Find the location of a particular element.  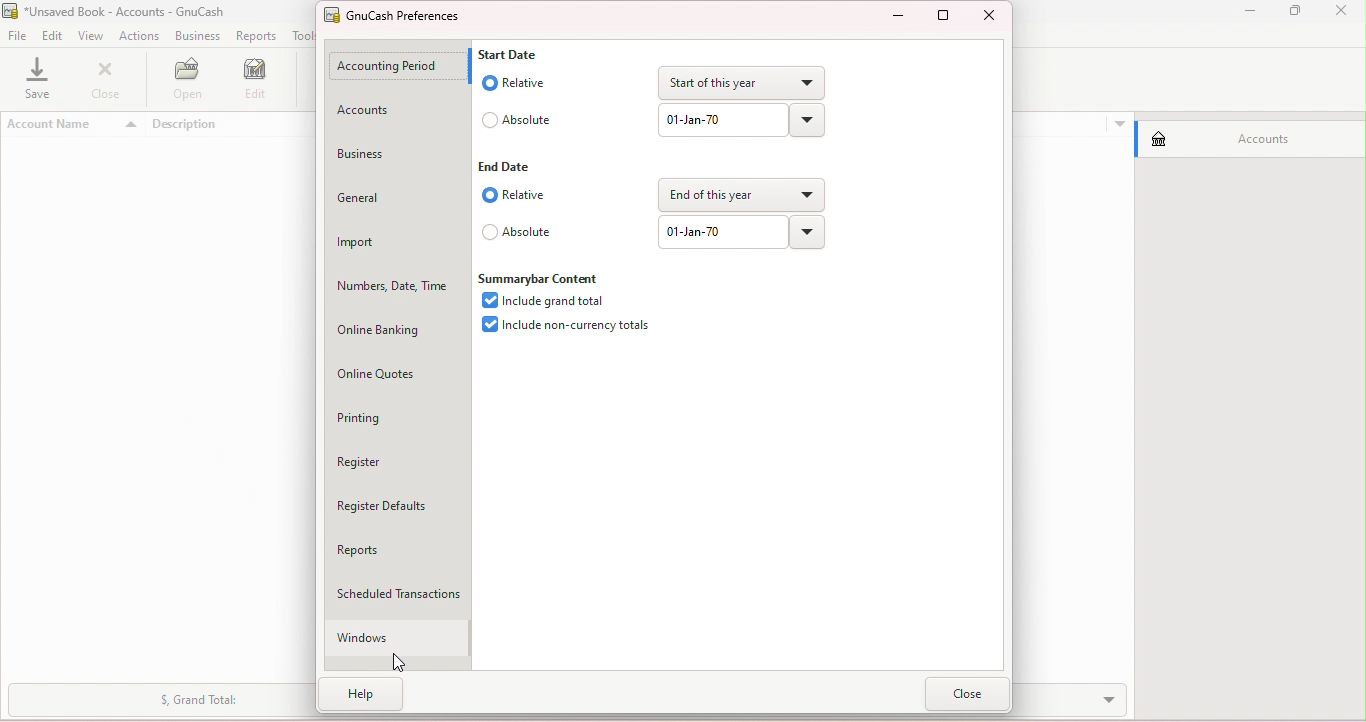

Account name is located at coordinates (76, 126).